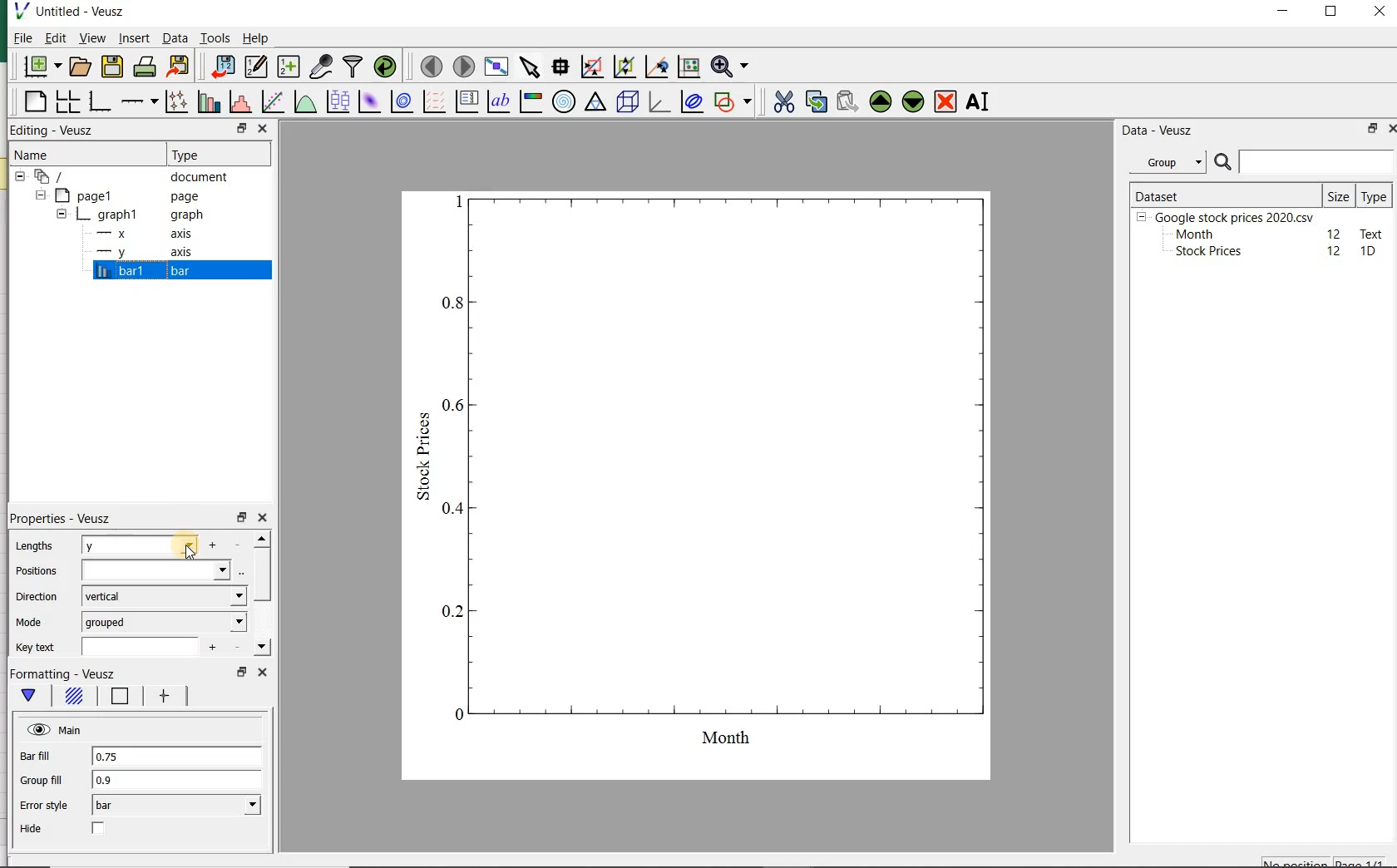 Image resolution: width=1397 pixels, height=868 pixels. What do you see at coordinates (498, 103) in the screenshot?
I see `text label` at bounding box center [498, 103].